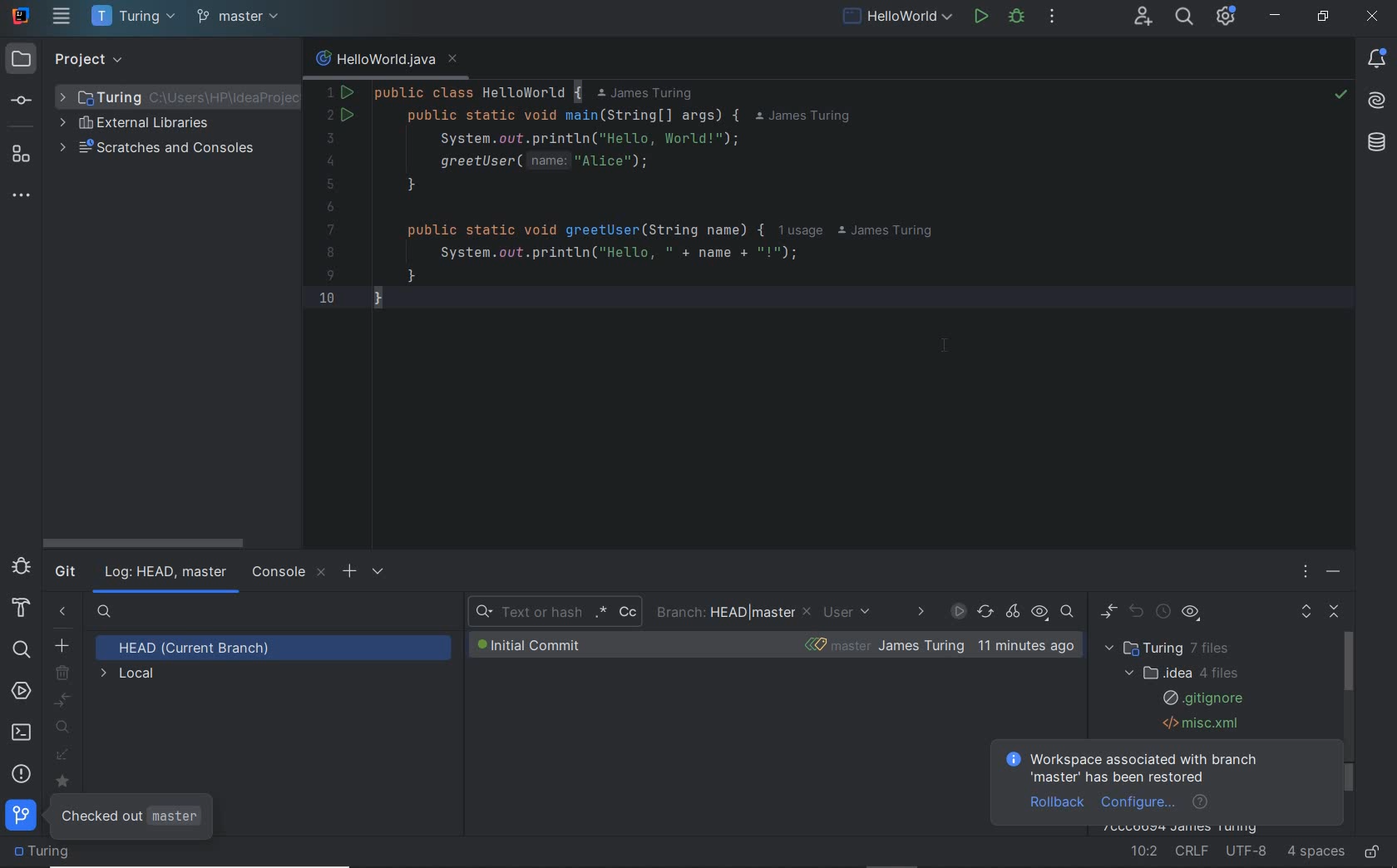 The image size is (1397, 868). I want to click on debug, so click(1016, 18).